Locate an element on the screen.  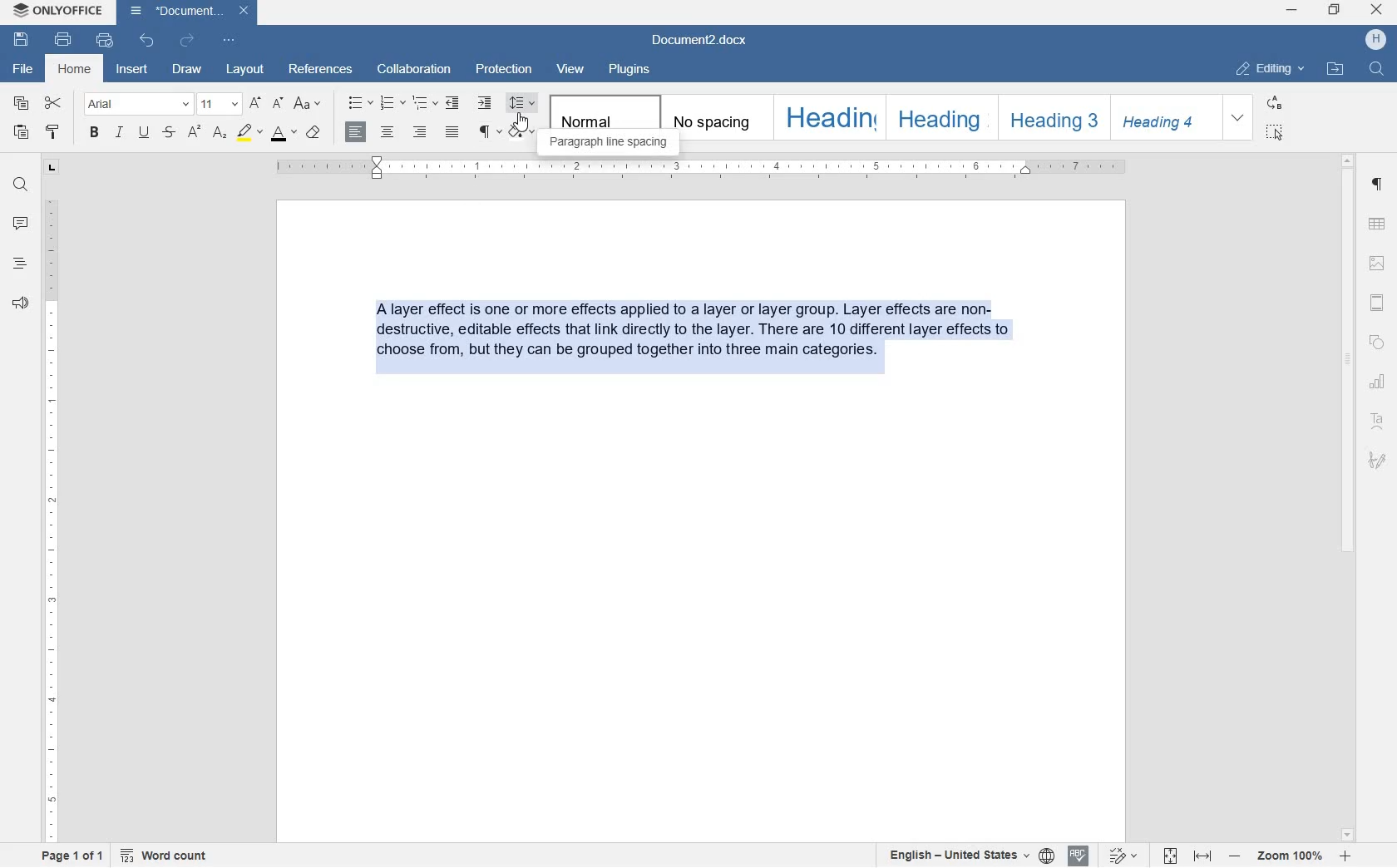
copy style is located at coordinates (53, 133).